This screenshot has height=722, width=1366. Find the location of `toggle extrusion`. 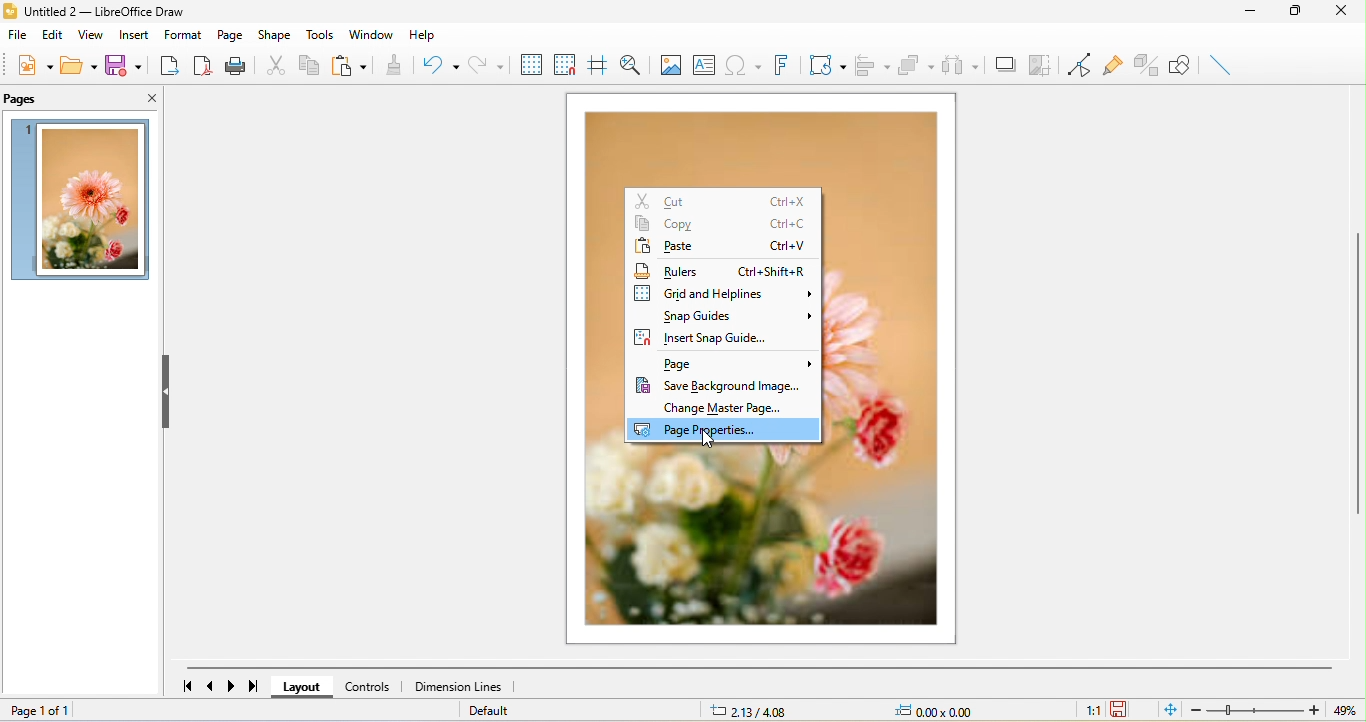

toggle extrusion is located at coordinates (1144, 65).